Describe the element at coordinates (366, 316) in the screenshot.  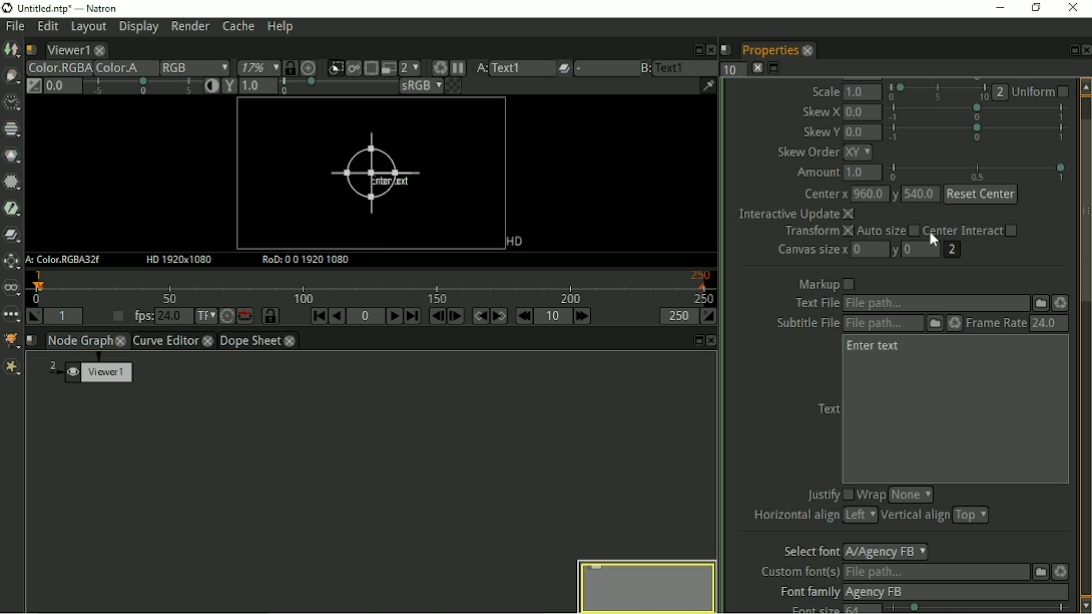
I see `Current frame` at that location.